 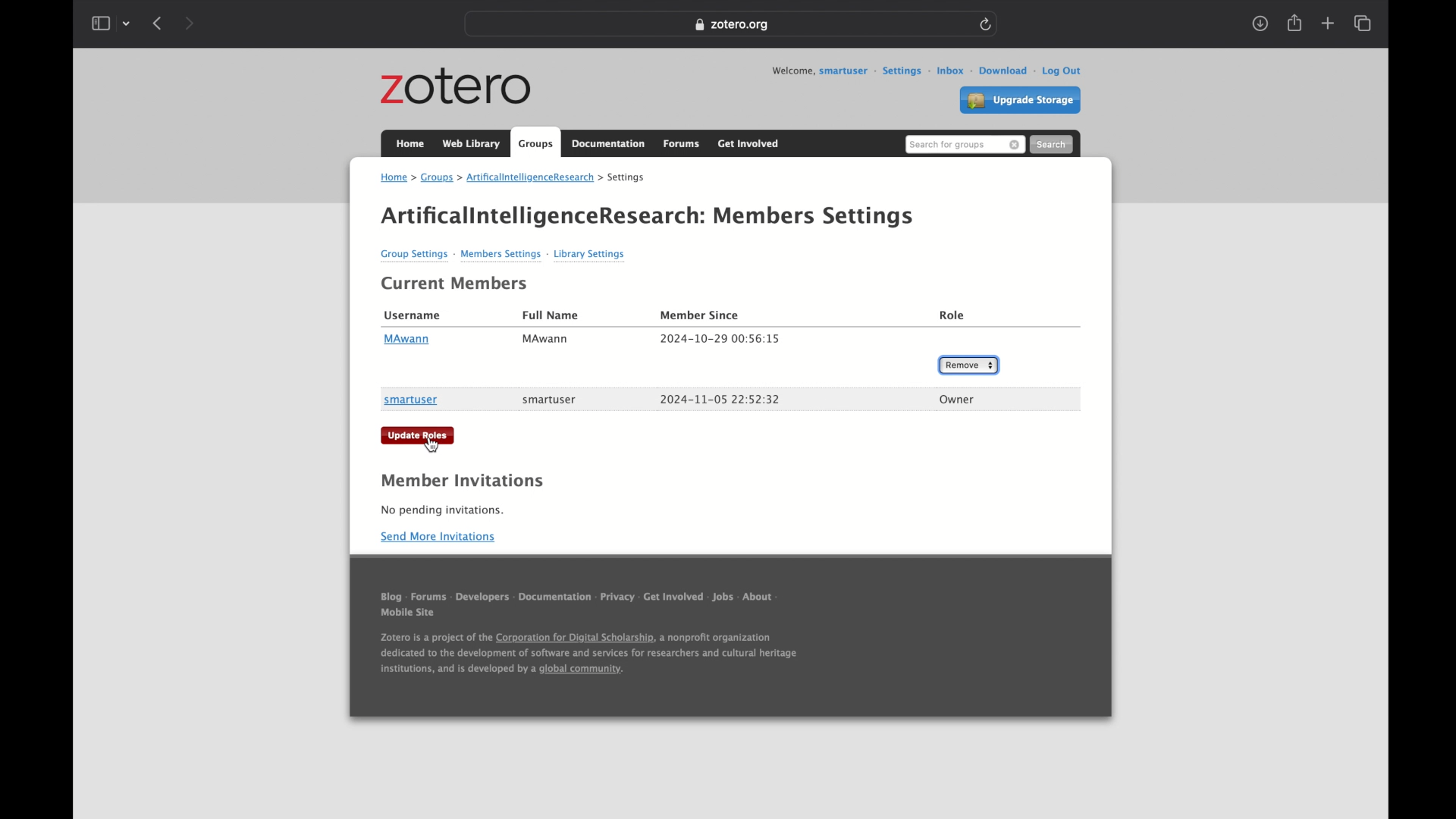 What do you see at coordinates (541, 217) in the screenshot?
I see `` at bounding box center [541, 217].